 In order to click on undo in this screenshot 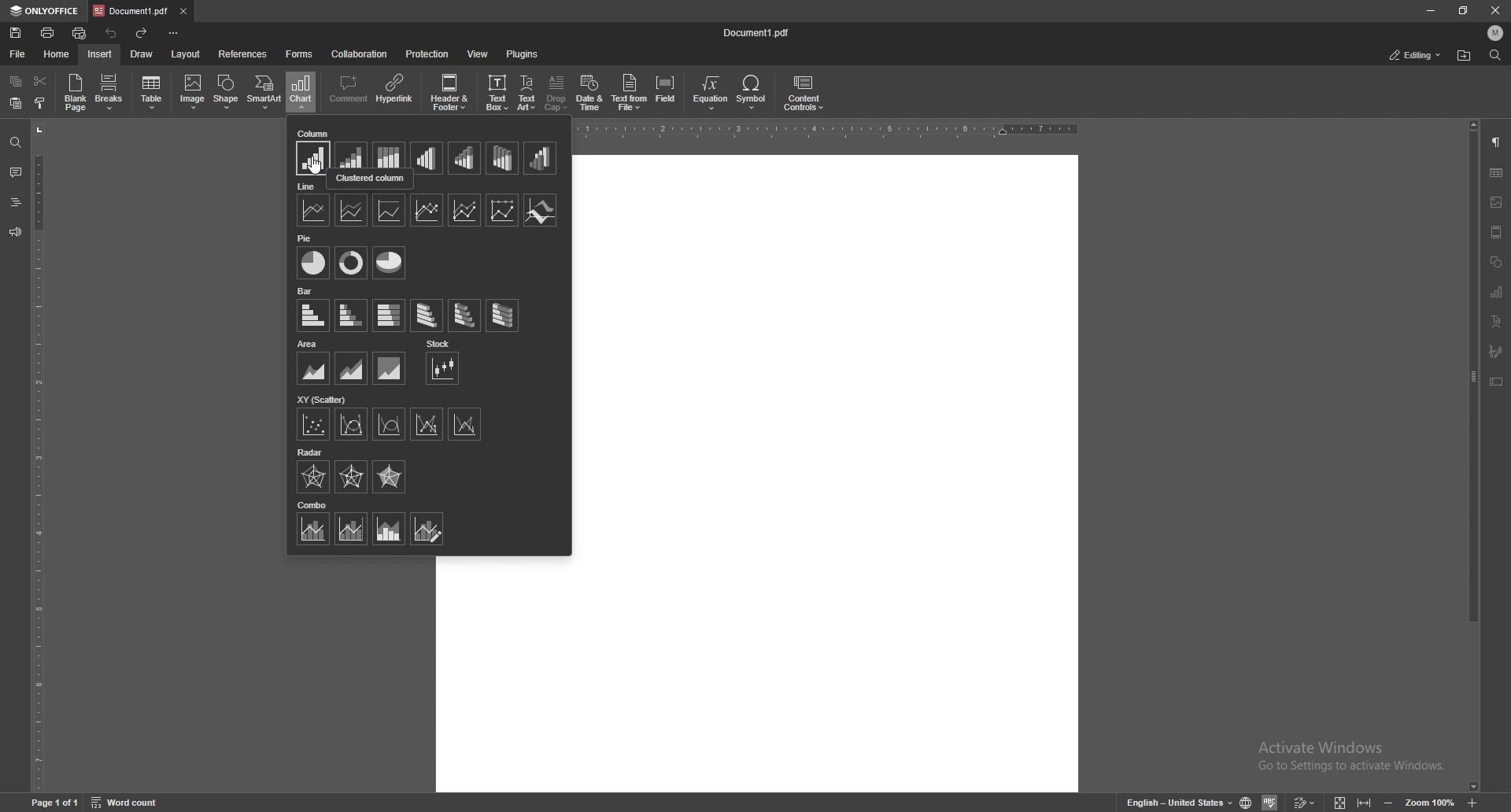, I will do `click(112, 34)`.